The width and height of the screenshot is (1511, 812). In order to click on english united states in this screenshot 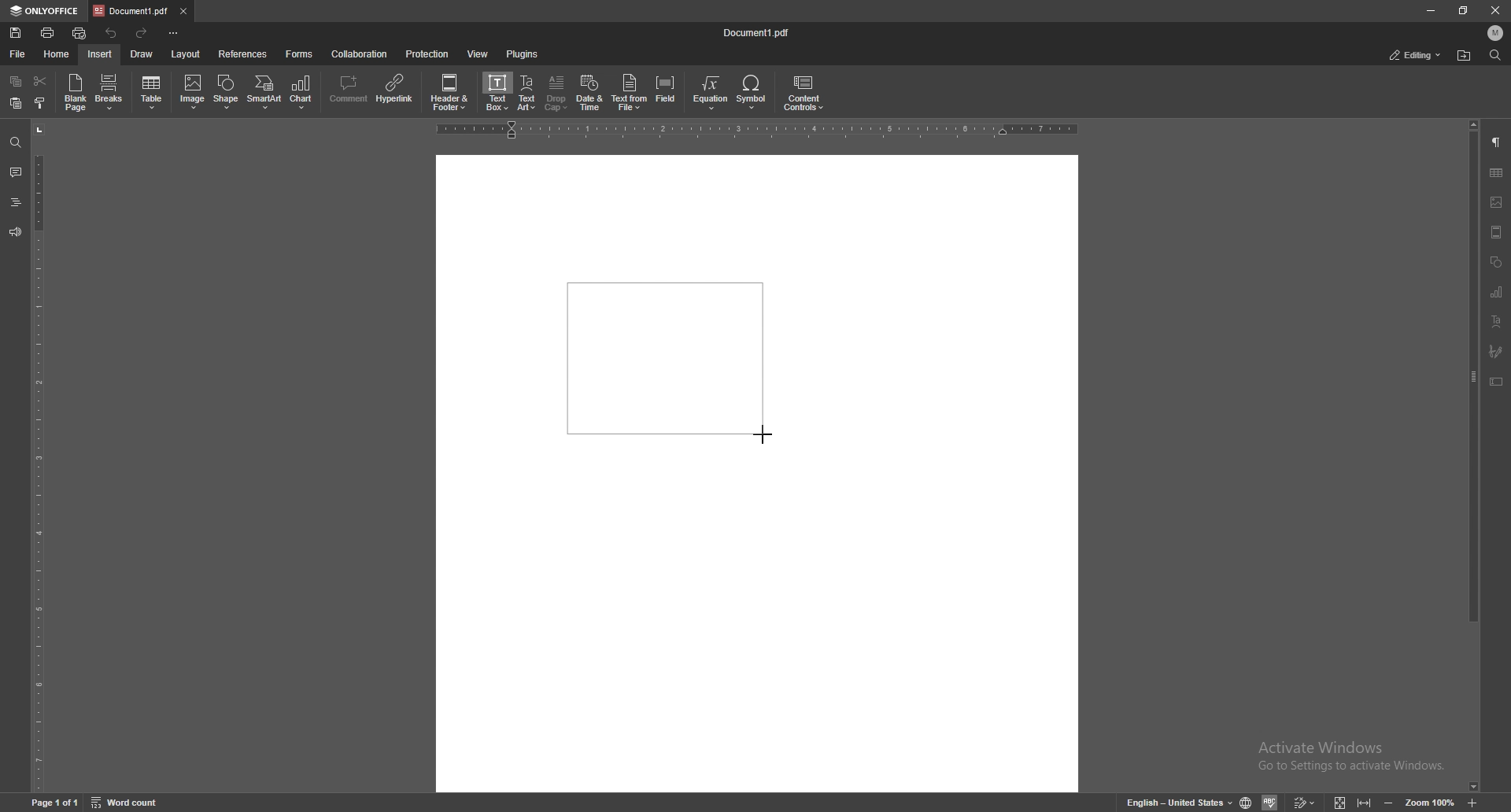, I will do `click(1180, 803)`.